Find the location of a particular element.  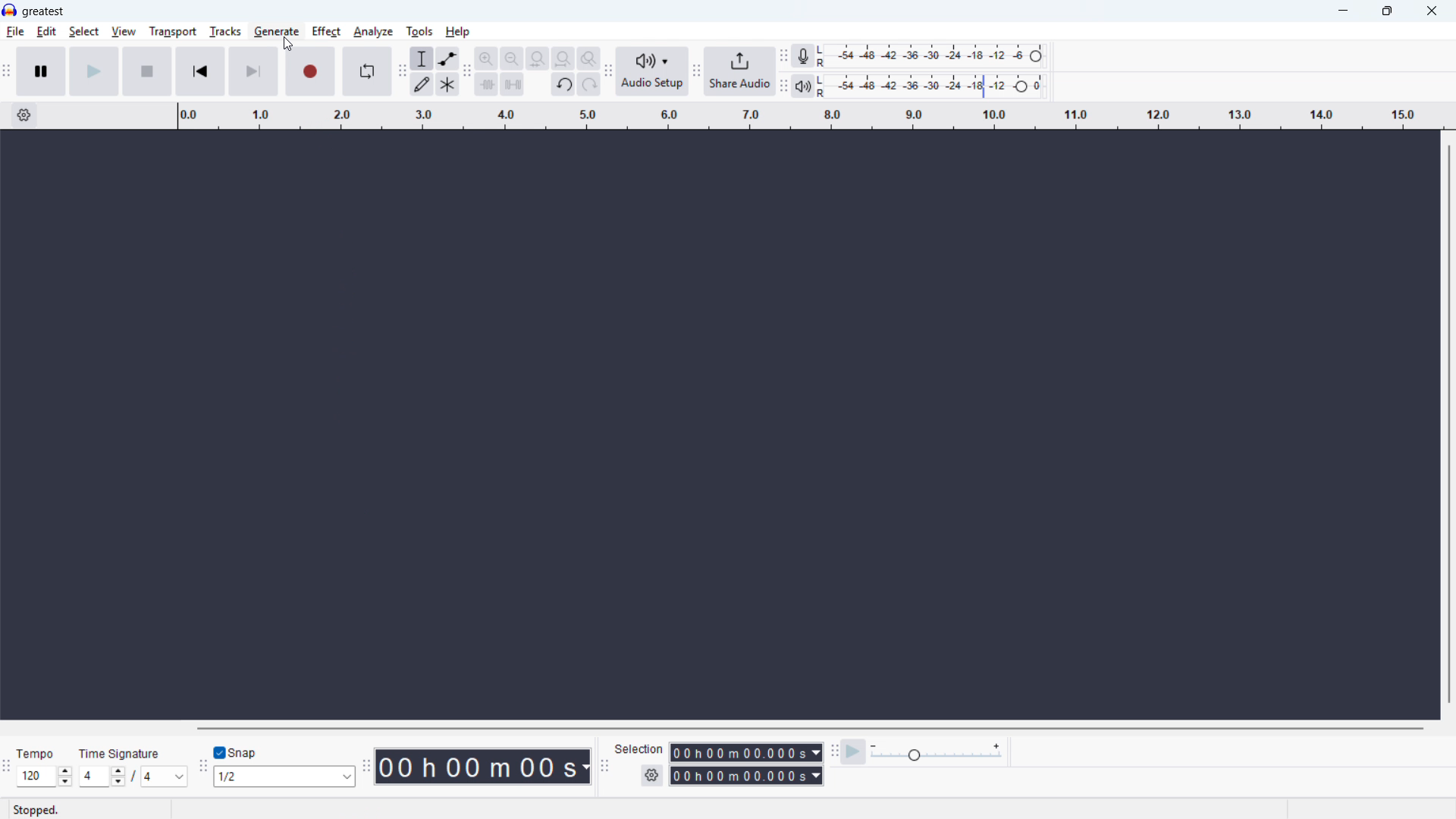

Select snapping  is located at coordinates (286, 776).